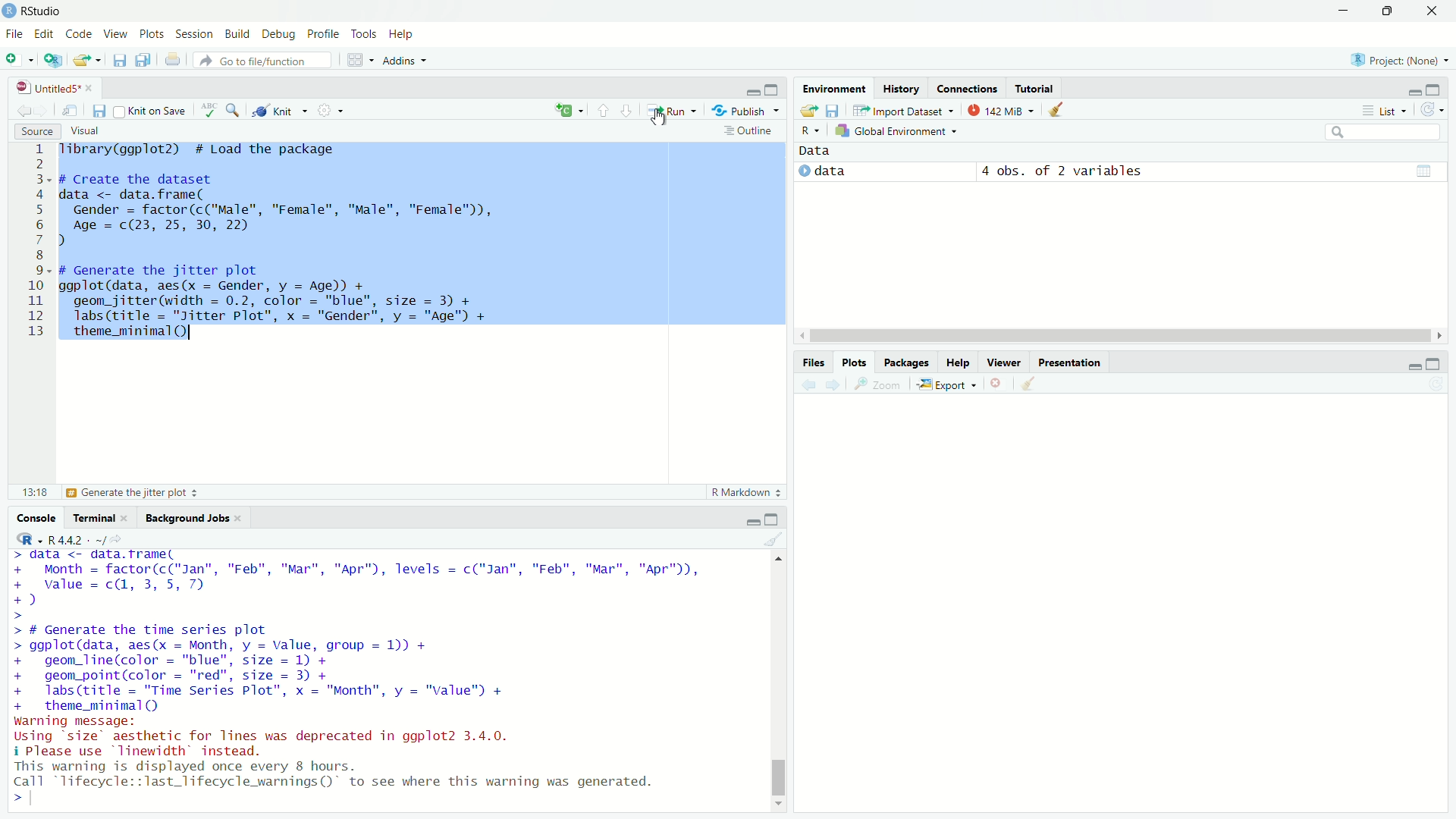 This screenshot has width=1456, height=819. What do you see at coordinates (18, 58) in the screenshot?
I see `new file` at bounding box center [18, 58].